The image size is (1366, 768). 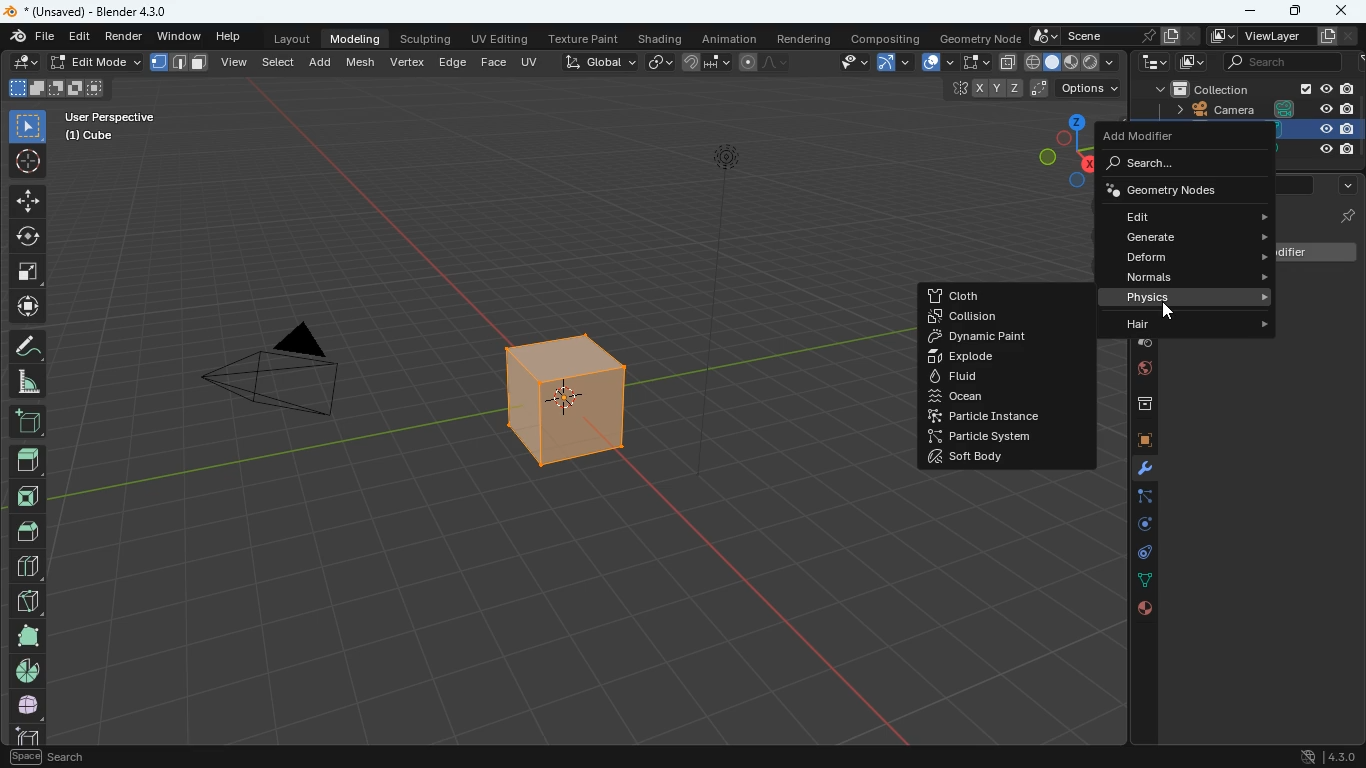 What do you see at coordinates (1198, 298) in the screenshot?
I see `physics` at bounding box center [1198, 298].